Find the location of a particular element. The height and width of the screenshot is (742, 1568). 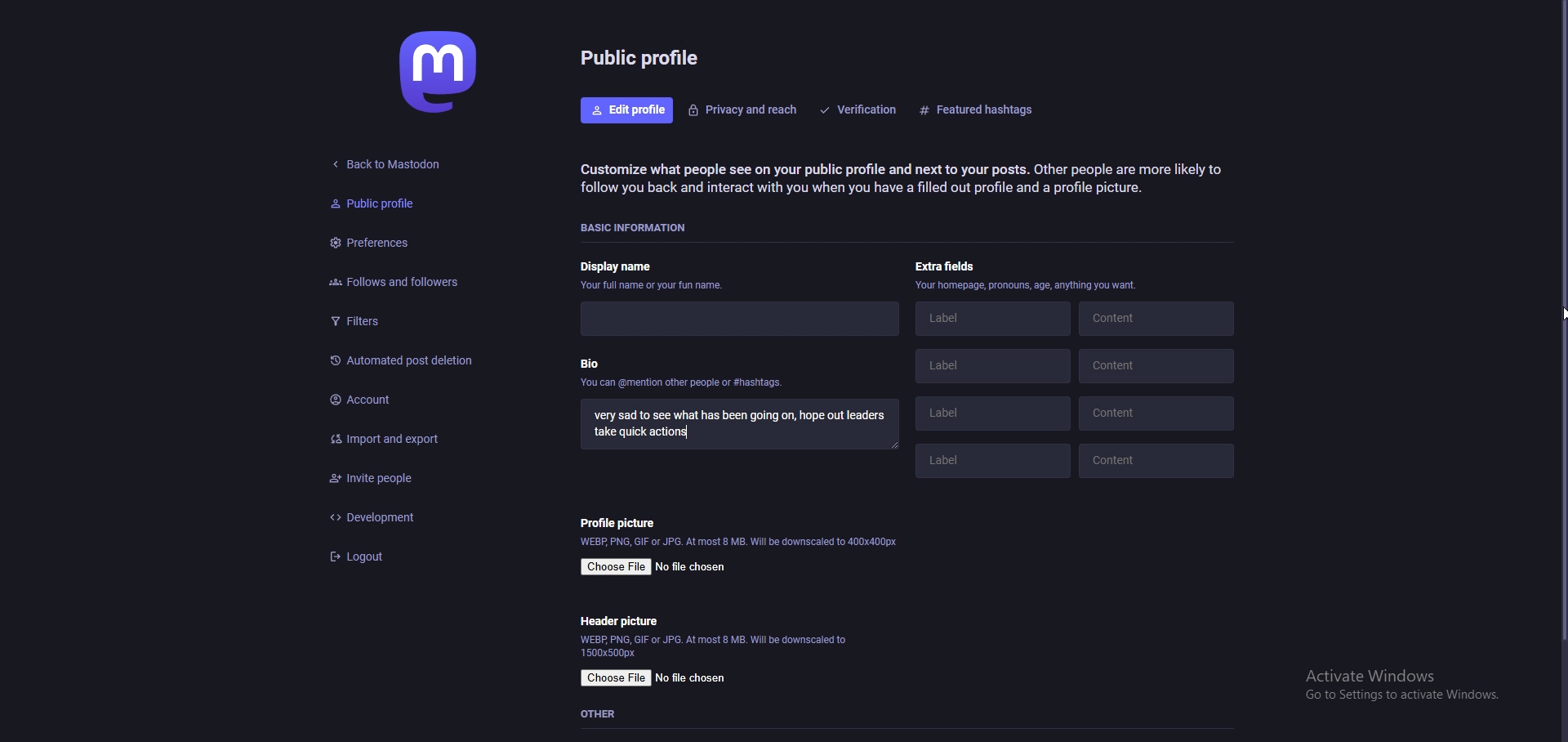

content is located at coordinates (1158, 413).